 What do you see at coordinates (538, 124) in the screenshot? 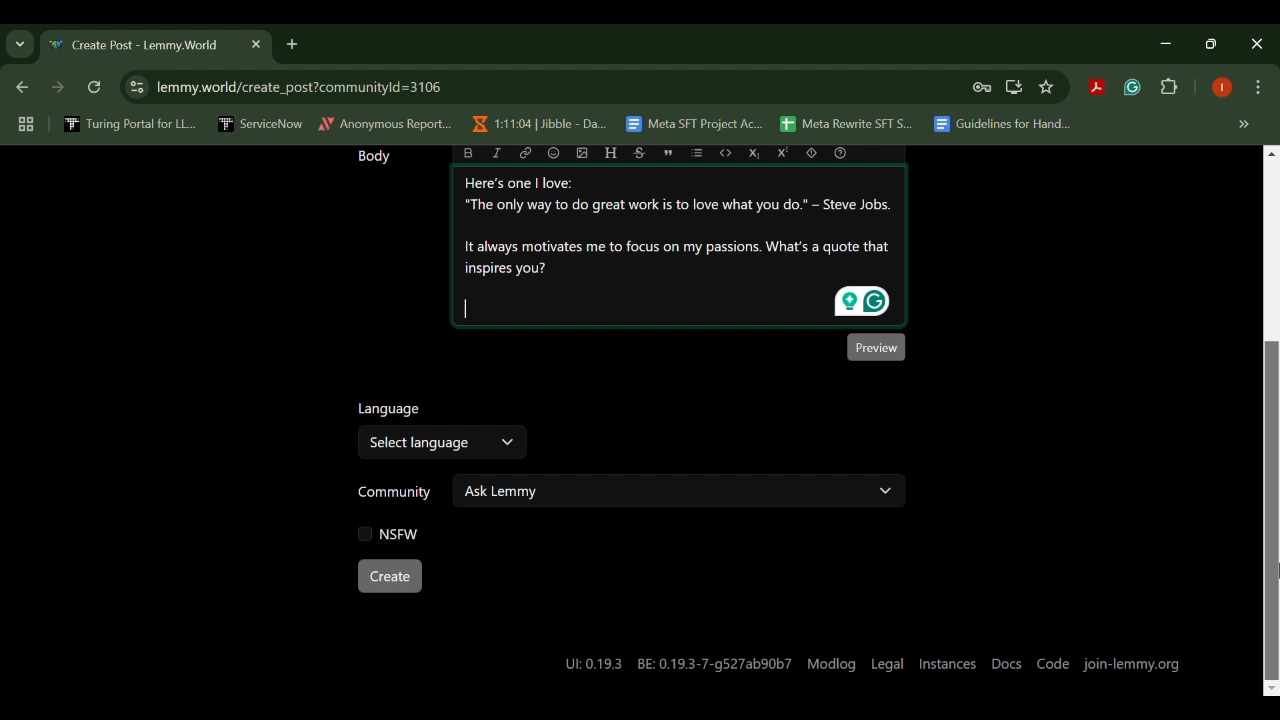
I see `1:11:04 | Jibble - Da...` at bounding box center [538, 124].